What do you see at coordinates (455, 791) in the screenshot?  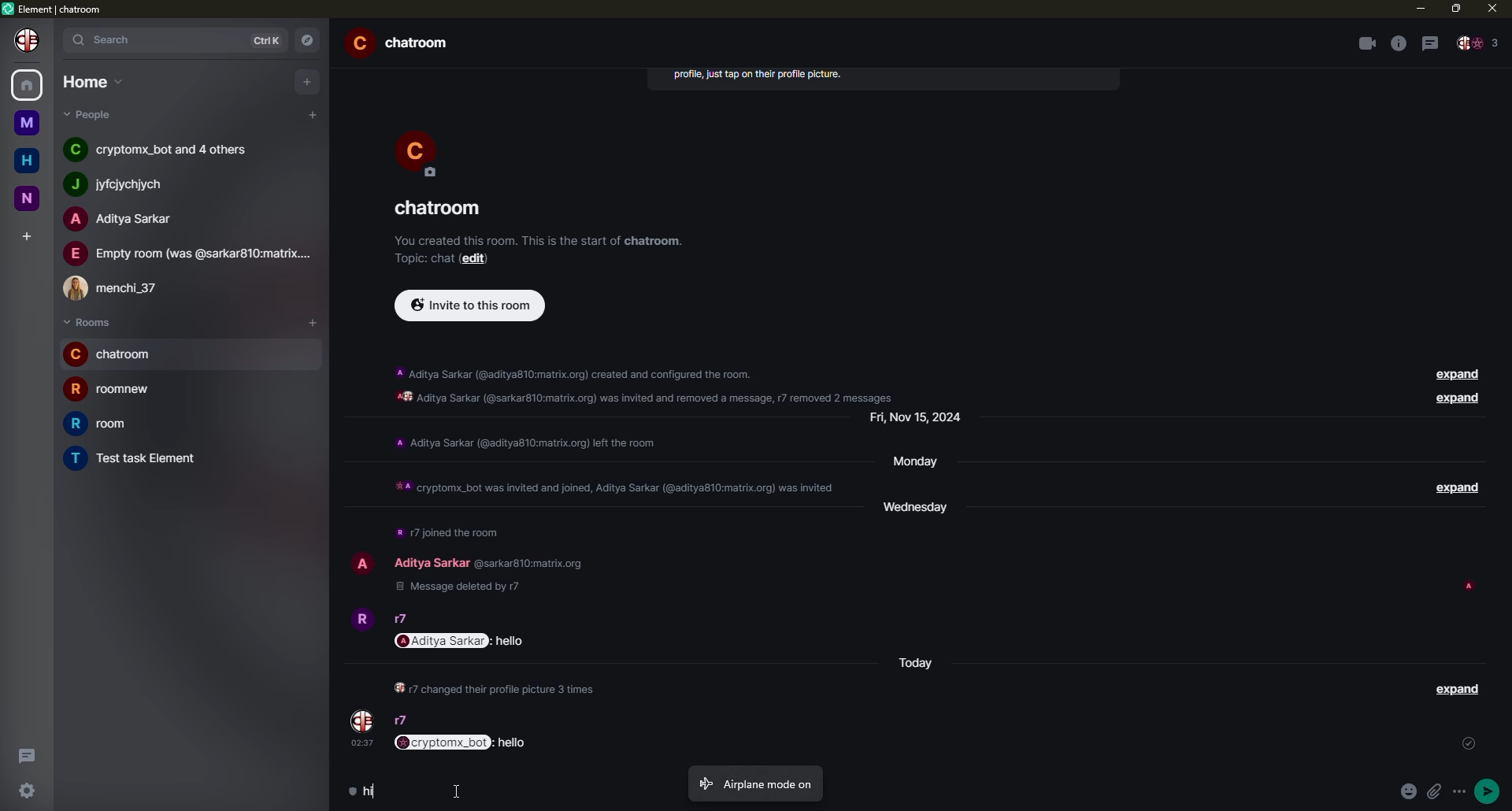 I see `cursor` at bounding box center [455, 791].